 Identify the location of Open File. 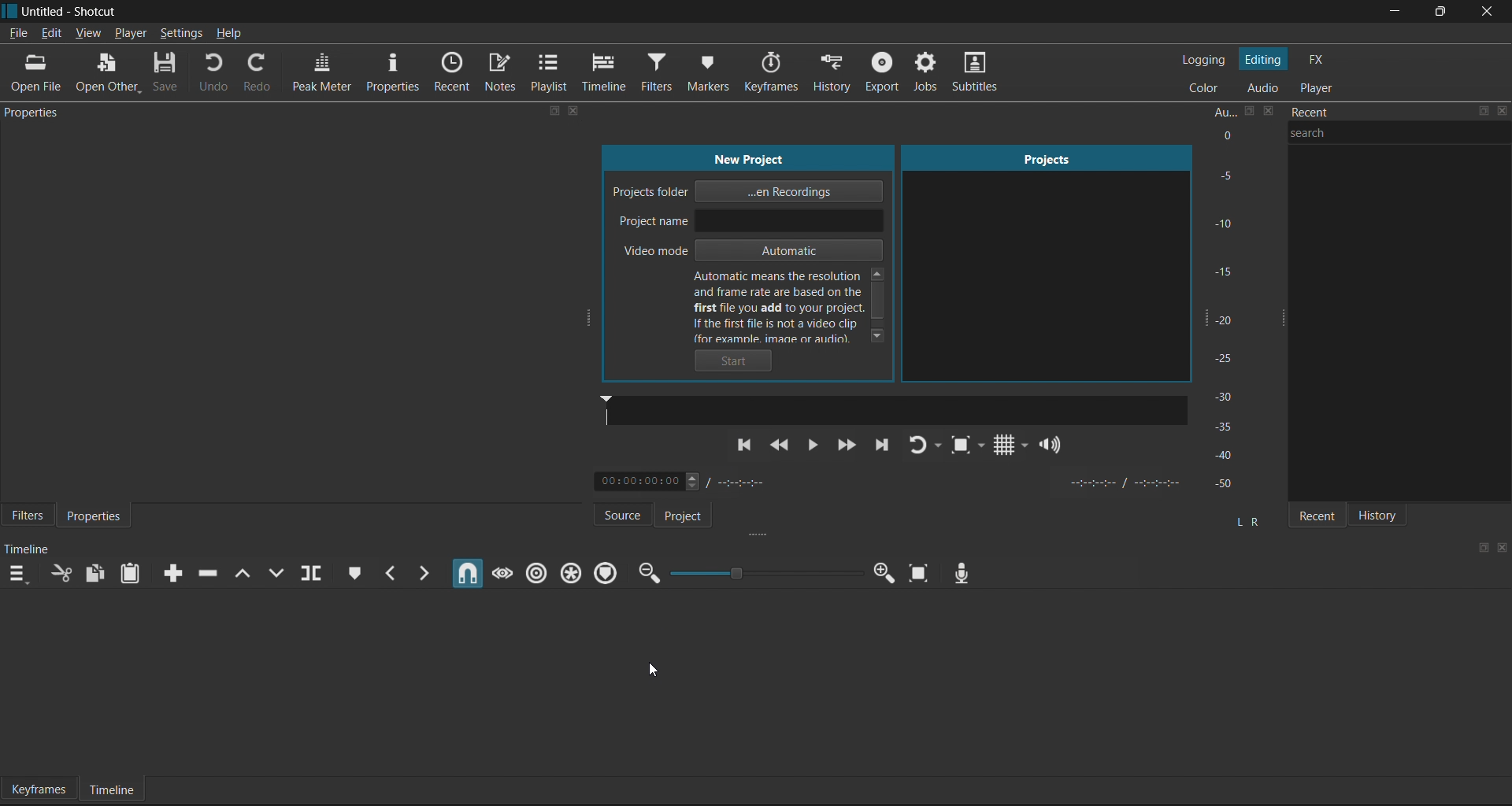
(39, 73).